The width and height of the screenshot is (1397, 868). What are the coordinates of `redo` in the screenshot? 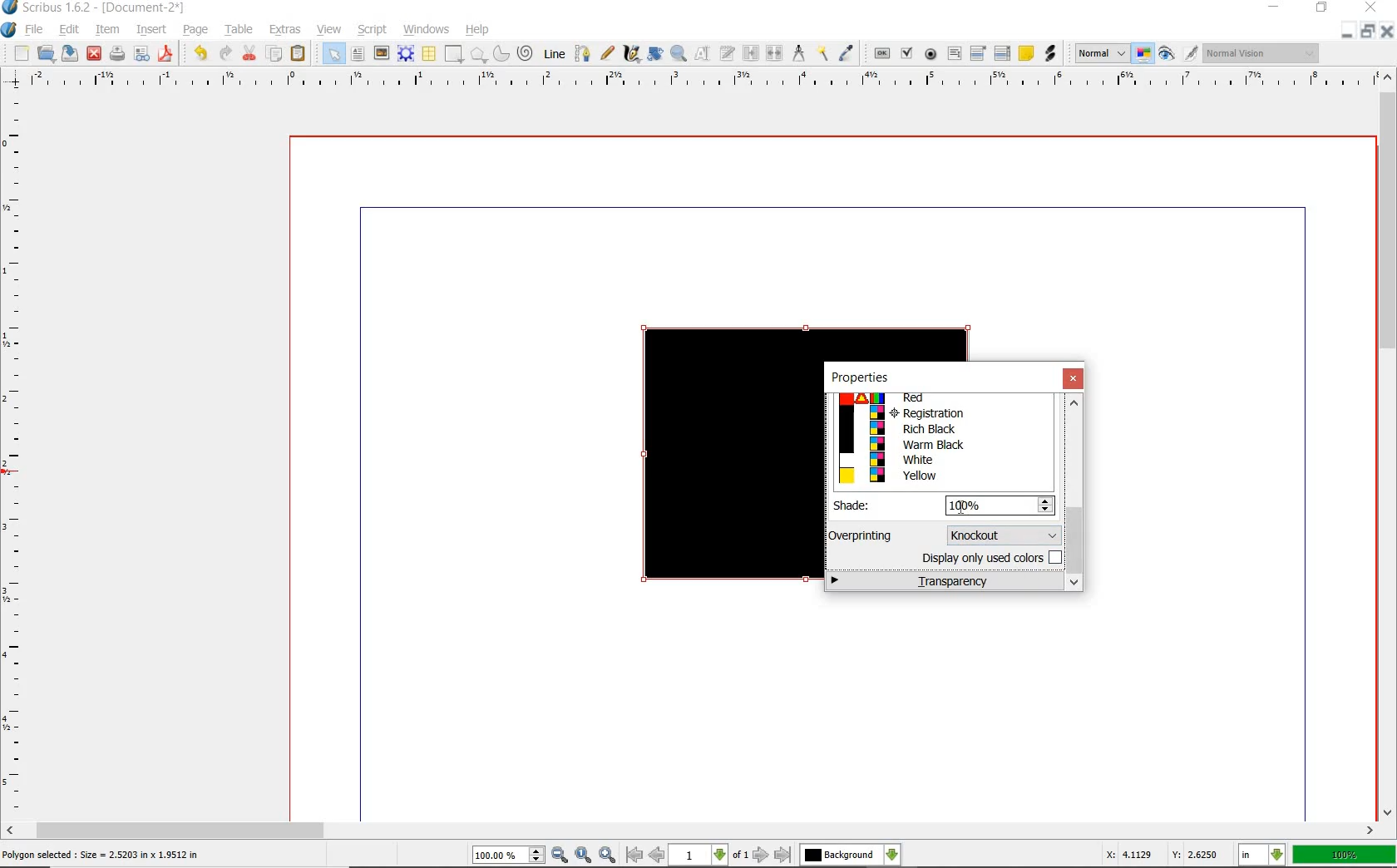 It's located at (225, 54).